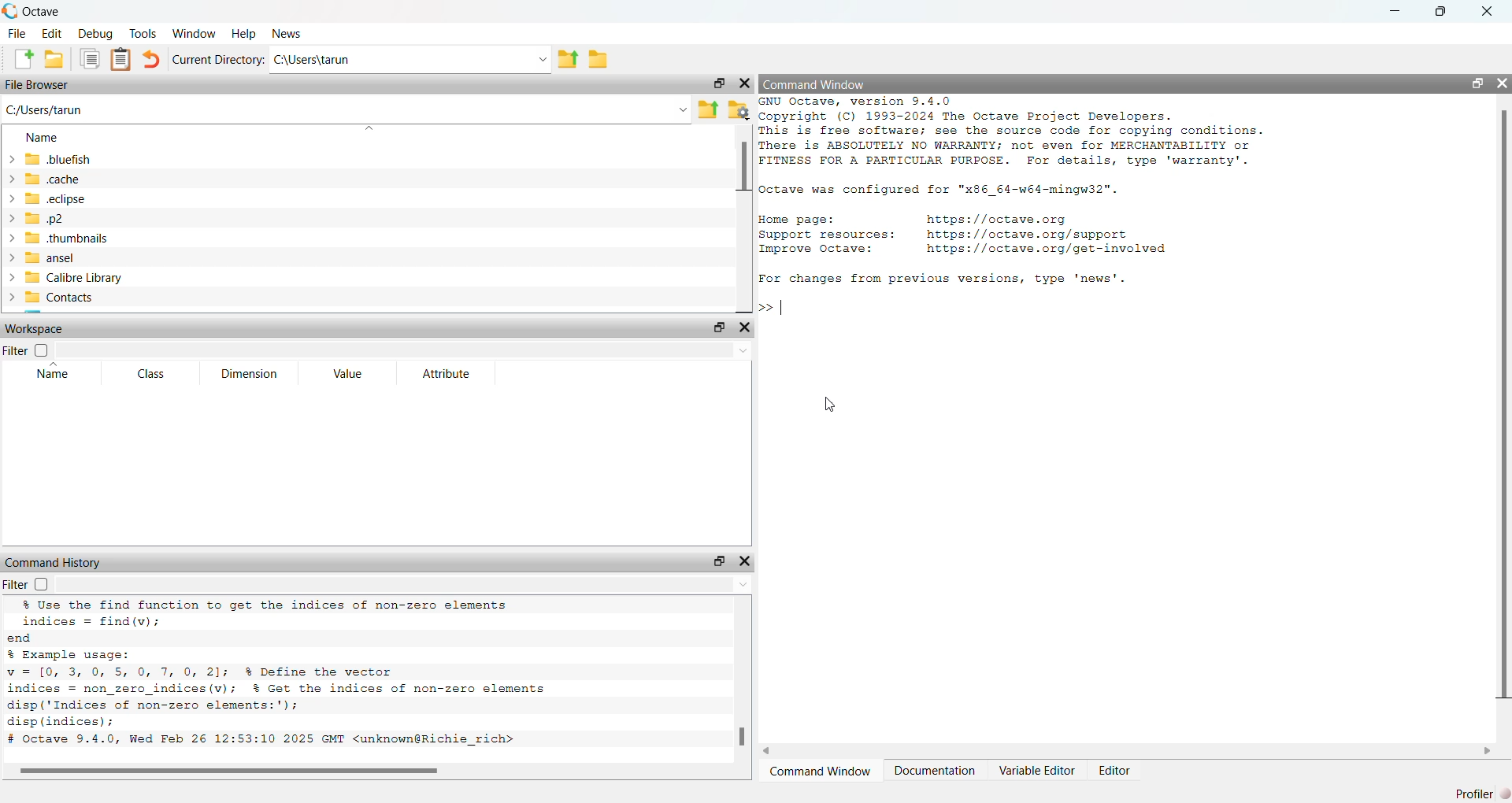 This screenshot has height=803, width=1512. Describe the element at coordinates (821, 773) in the screenshot. I see `Command Window` at that location.